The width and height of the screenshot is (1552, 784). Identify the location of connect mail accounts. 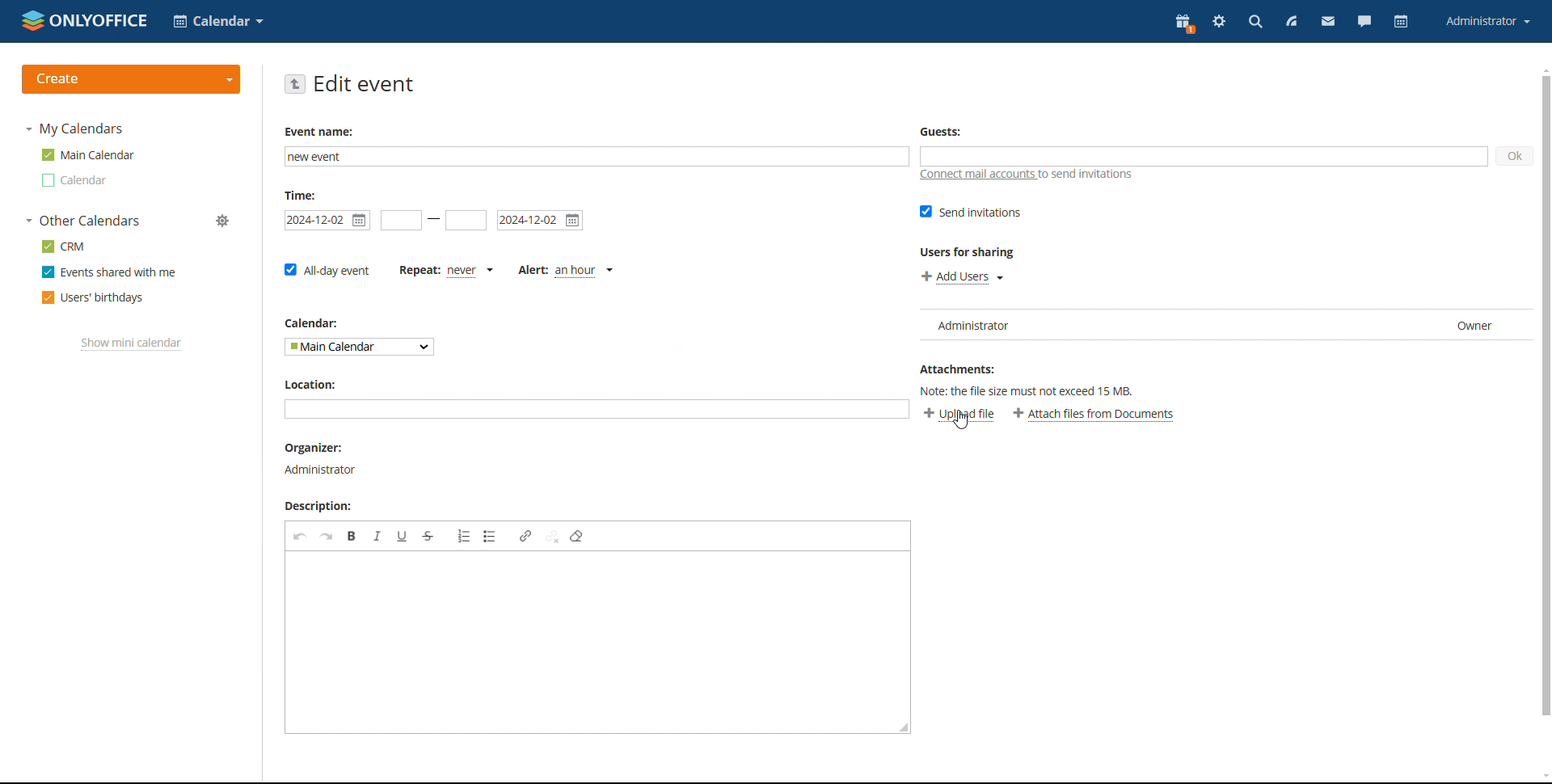
(1031, 175).